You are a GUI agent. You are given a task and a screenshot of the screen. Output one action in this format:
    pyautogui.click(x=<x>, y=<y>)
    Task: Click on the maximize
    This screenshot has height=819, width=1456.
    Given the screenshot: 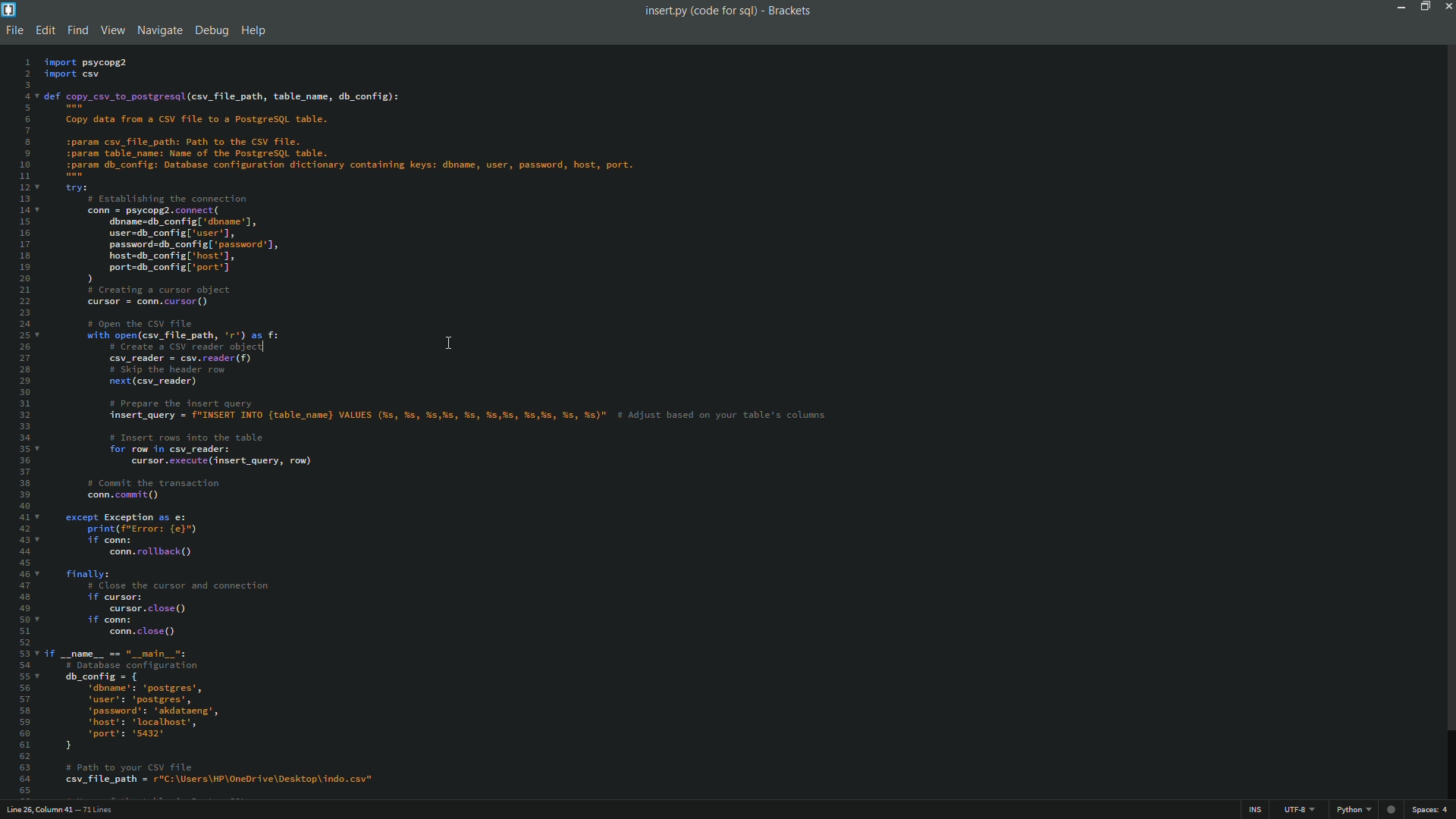 What is the action you would take?
    pyautogui.click(x=1424, y=6)
    